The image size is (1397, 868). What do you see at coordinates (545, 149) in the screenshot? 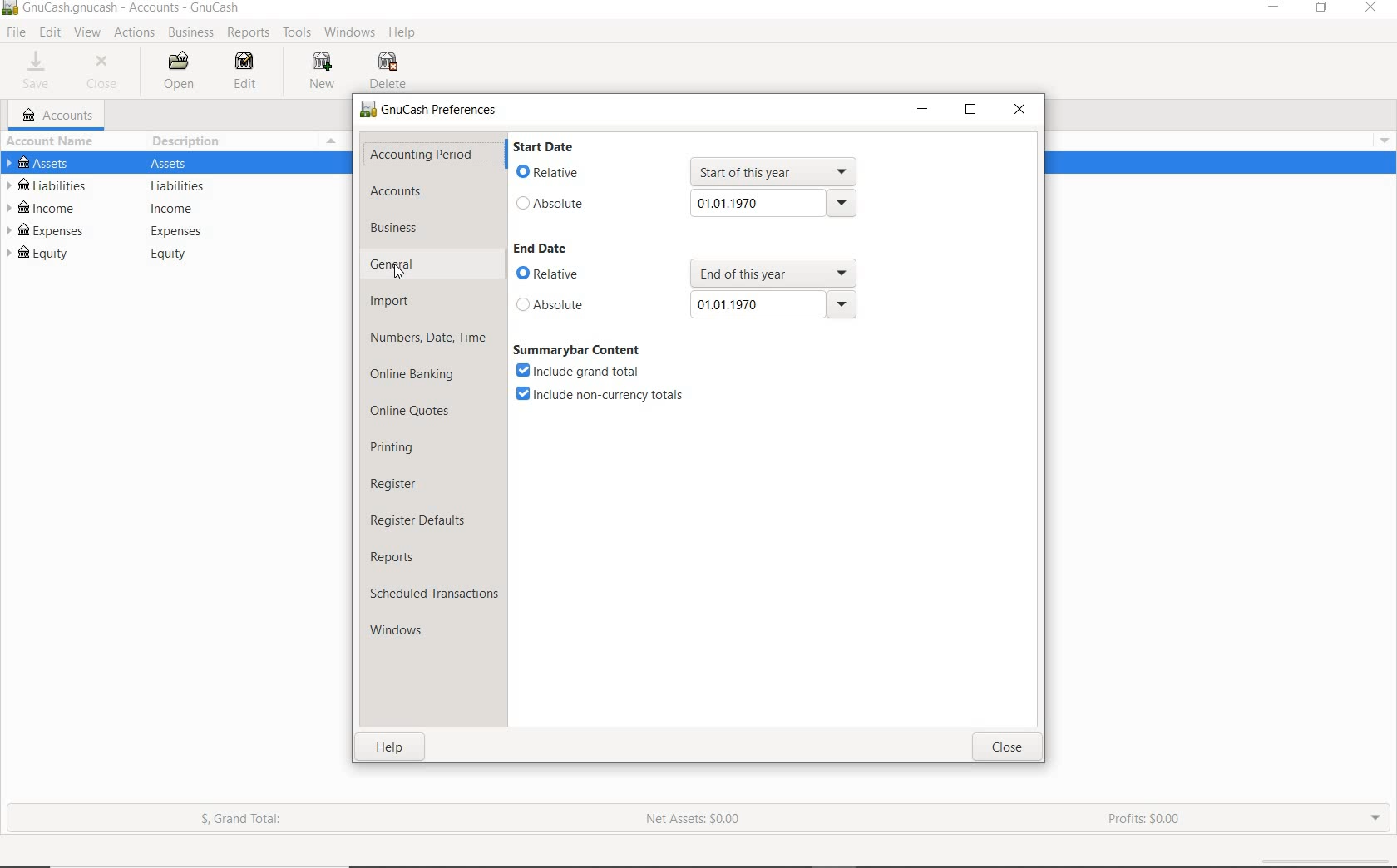
I see `START DATE` at bounding box center [545, 149].